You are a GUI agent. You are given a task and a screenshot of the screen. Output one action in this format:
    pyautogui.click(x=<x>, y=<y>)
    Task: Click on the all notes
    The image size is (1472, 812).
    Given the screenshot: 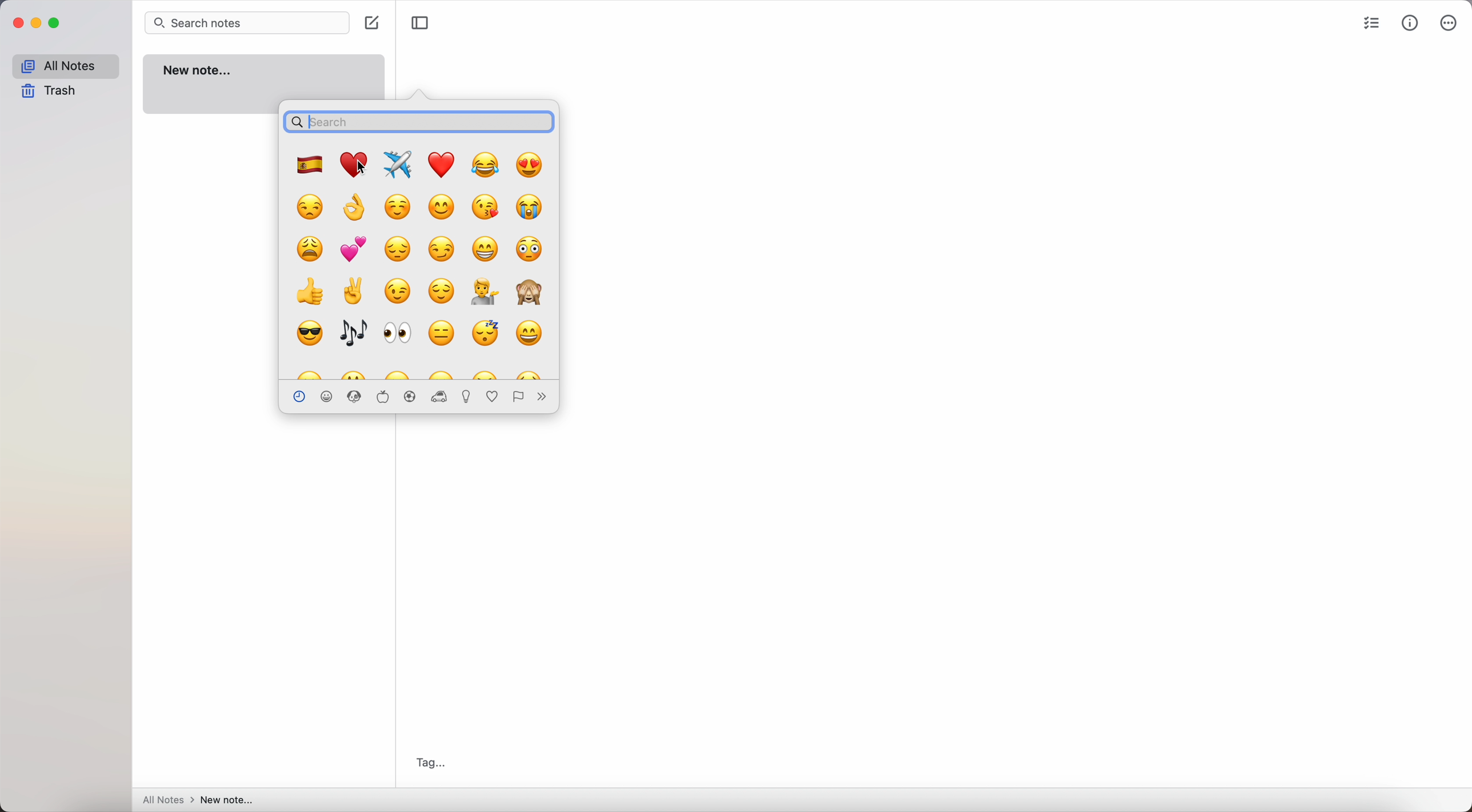 What is the action you would take?
    pyautogui.click(x=63, y=65)
    